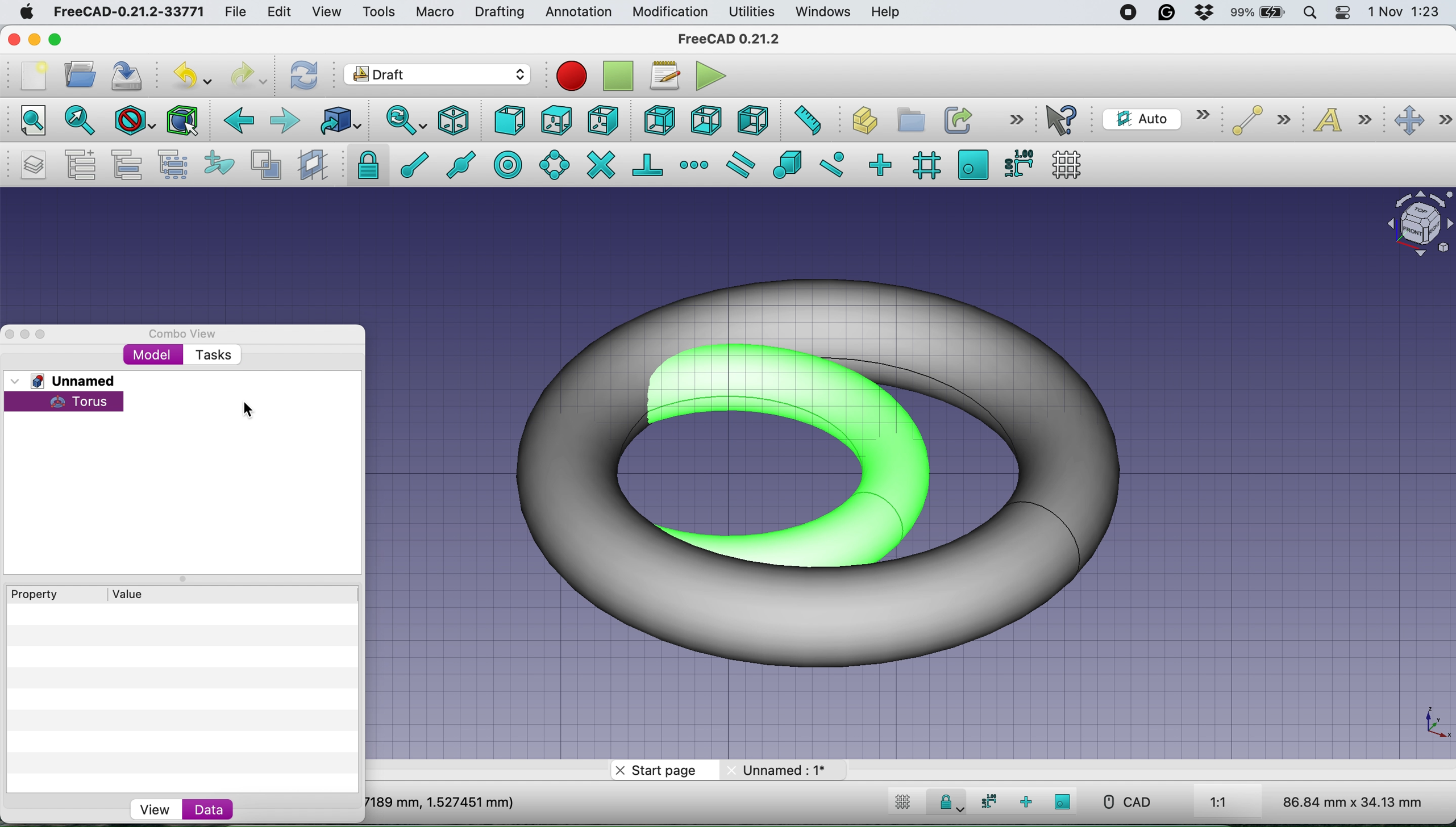 This screenshot has width=1456, height=827. Describe the element at coordinates (281, 12) in the screenshot. I see `edit` at that location.